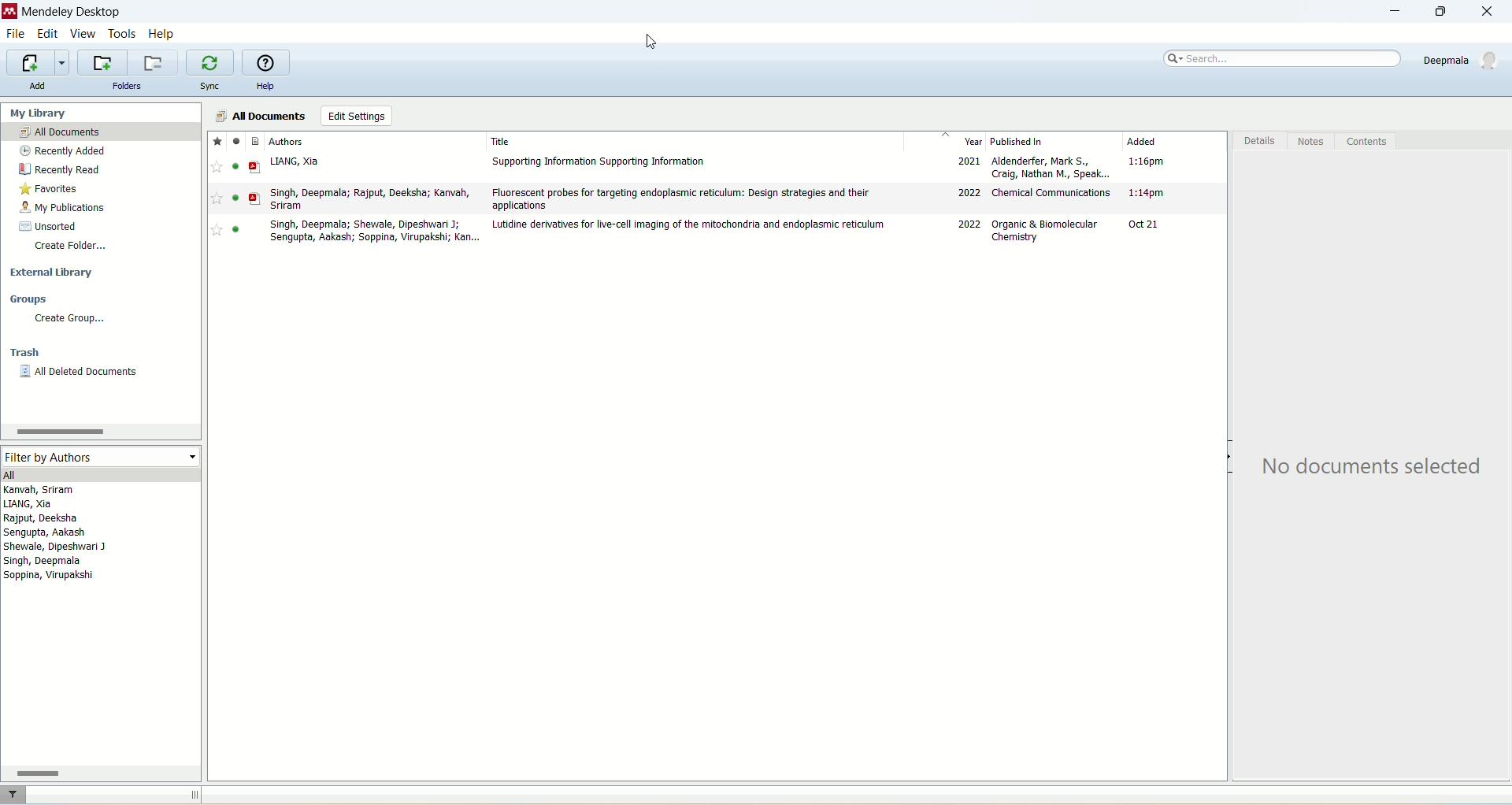 Image resolution: width=1512 pixels, height=805 pixels. Describe the element at coordinates (969, 224) in the screenshot. I see `2021` at that location.